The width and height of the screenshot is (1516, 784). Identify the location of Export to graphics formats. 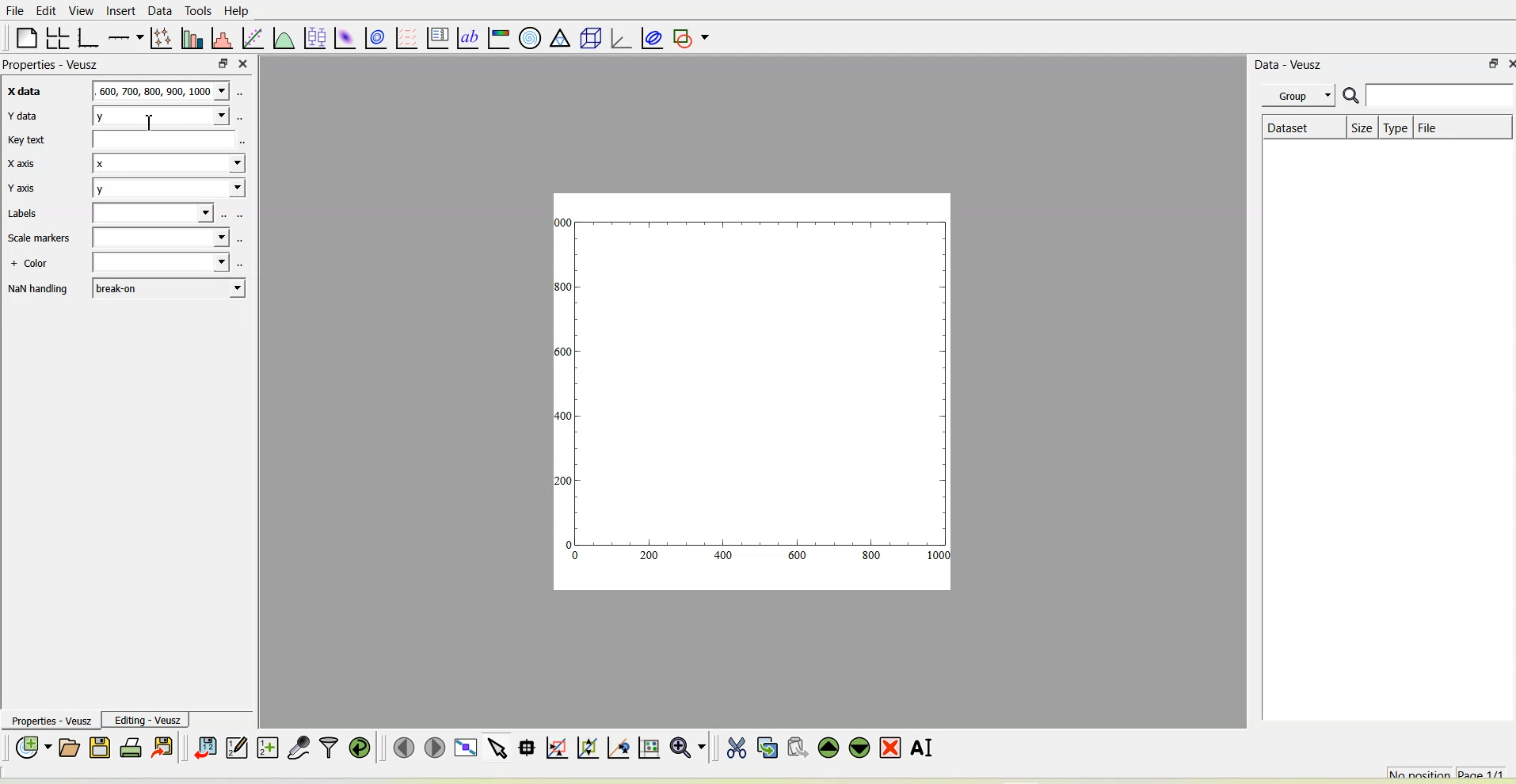
(162, 748).